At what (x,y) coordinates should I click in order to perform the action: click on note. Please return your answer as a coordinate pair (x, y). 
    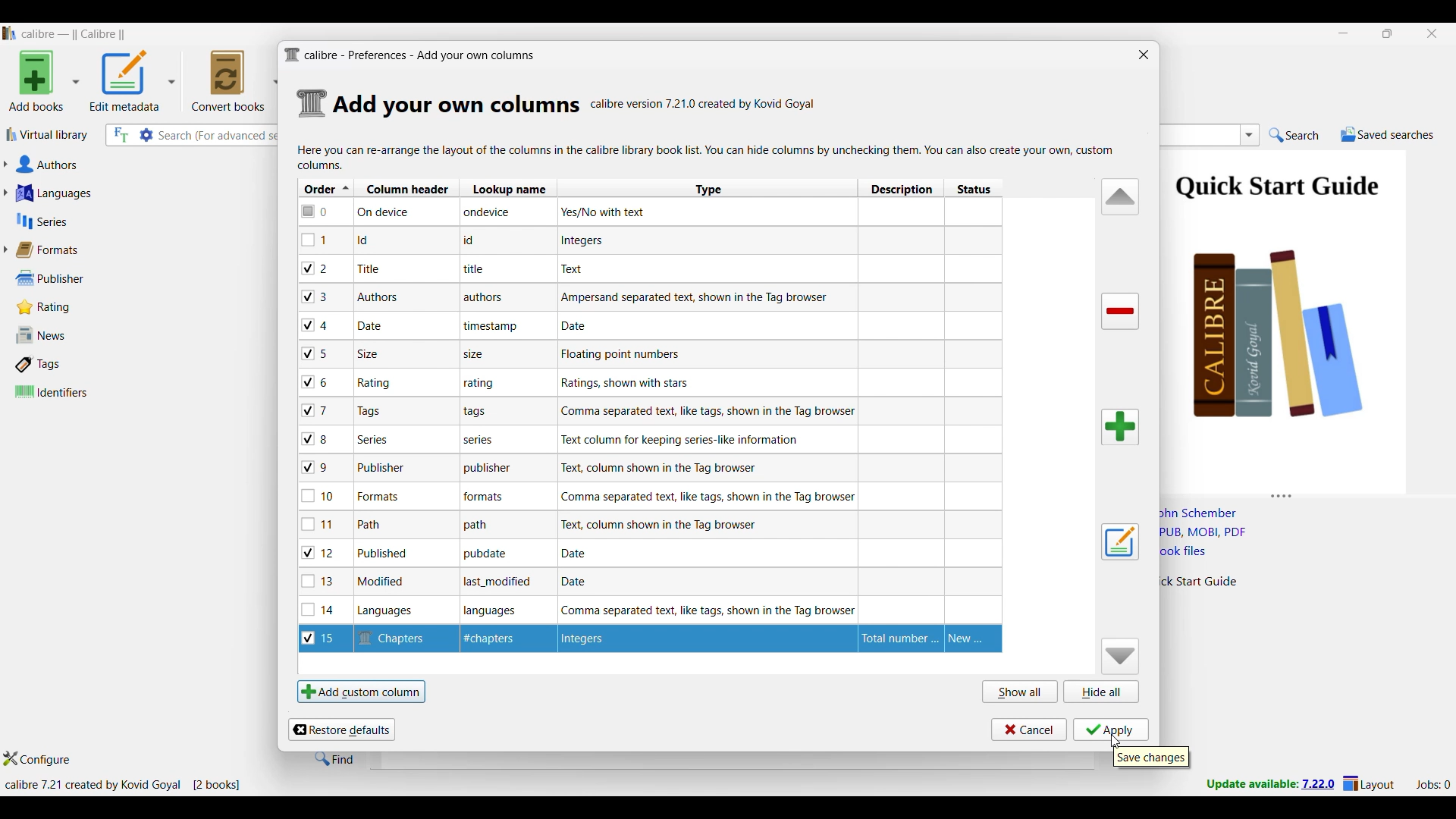
    Looking at the image, I should click on (494, 497).